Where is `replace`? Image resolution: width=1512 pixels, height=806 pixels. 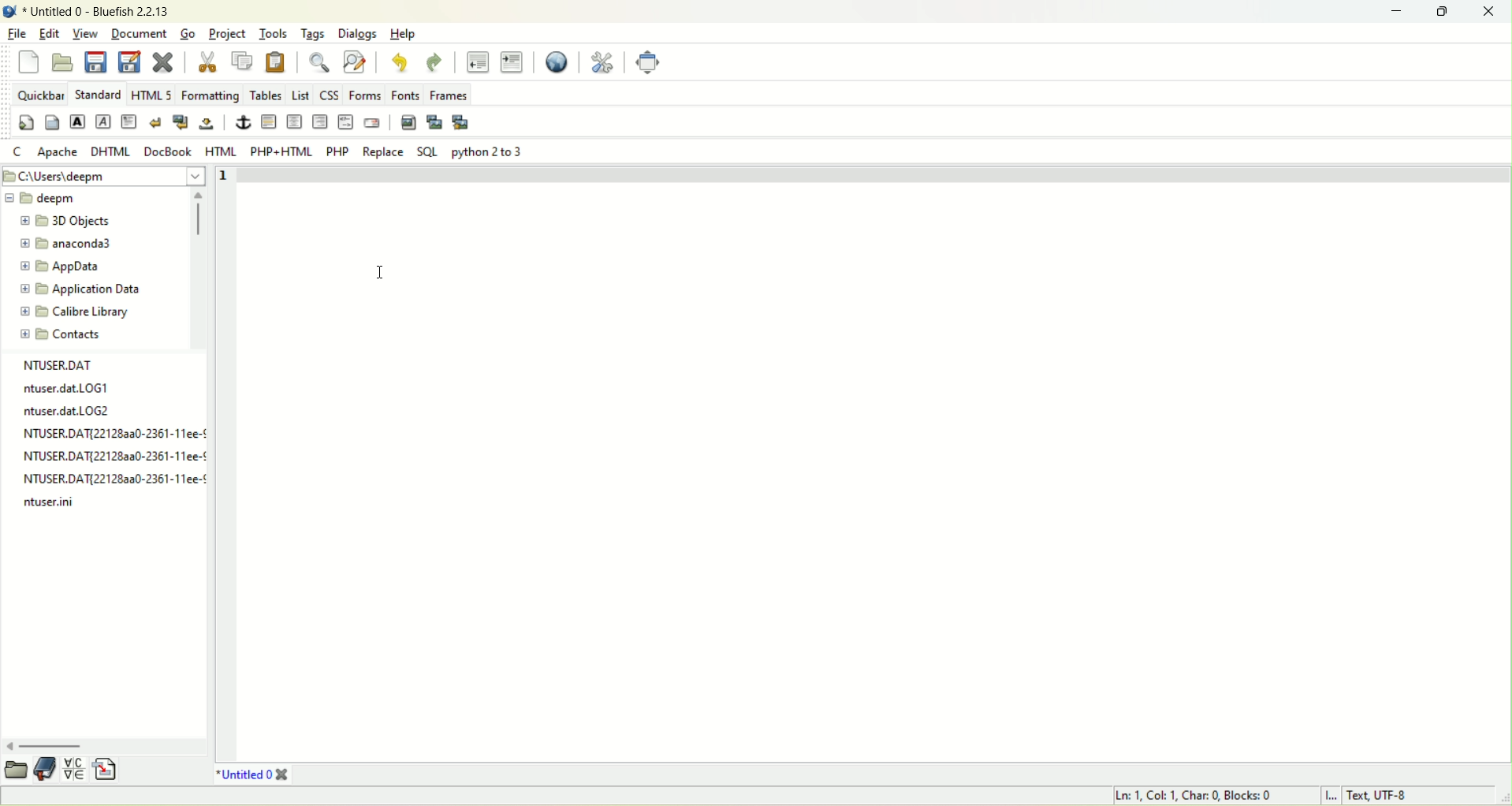
replace is located at coordinates (383, 151).